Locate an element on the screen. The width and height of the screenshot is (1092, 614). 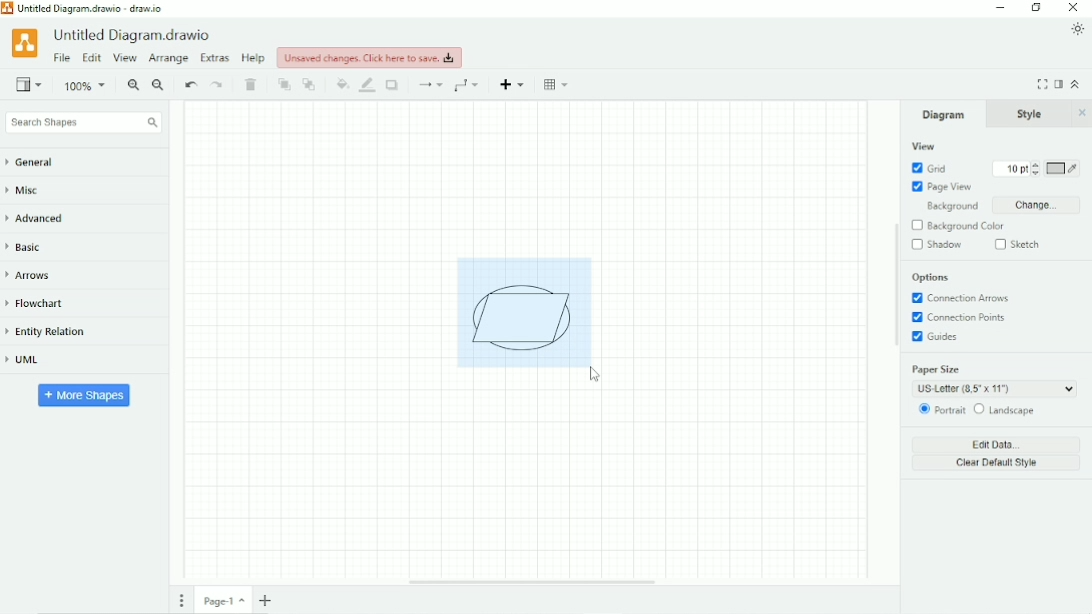
Shapes selected is located at coordinates (524, 311).